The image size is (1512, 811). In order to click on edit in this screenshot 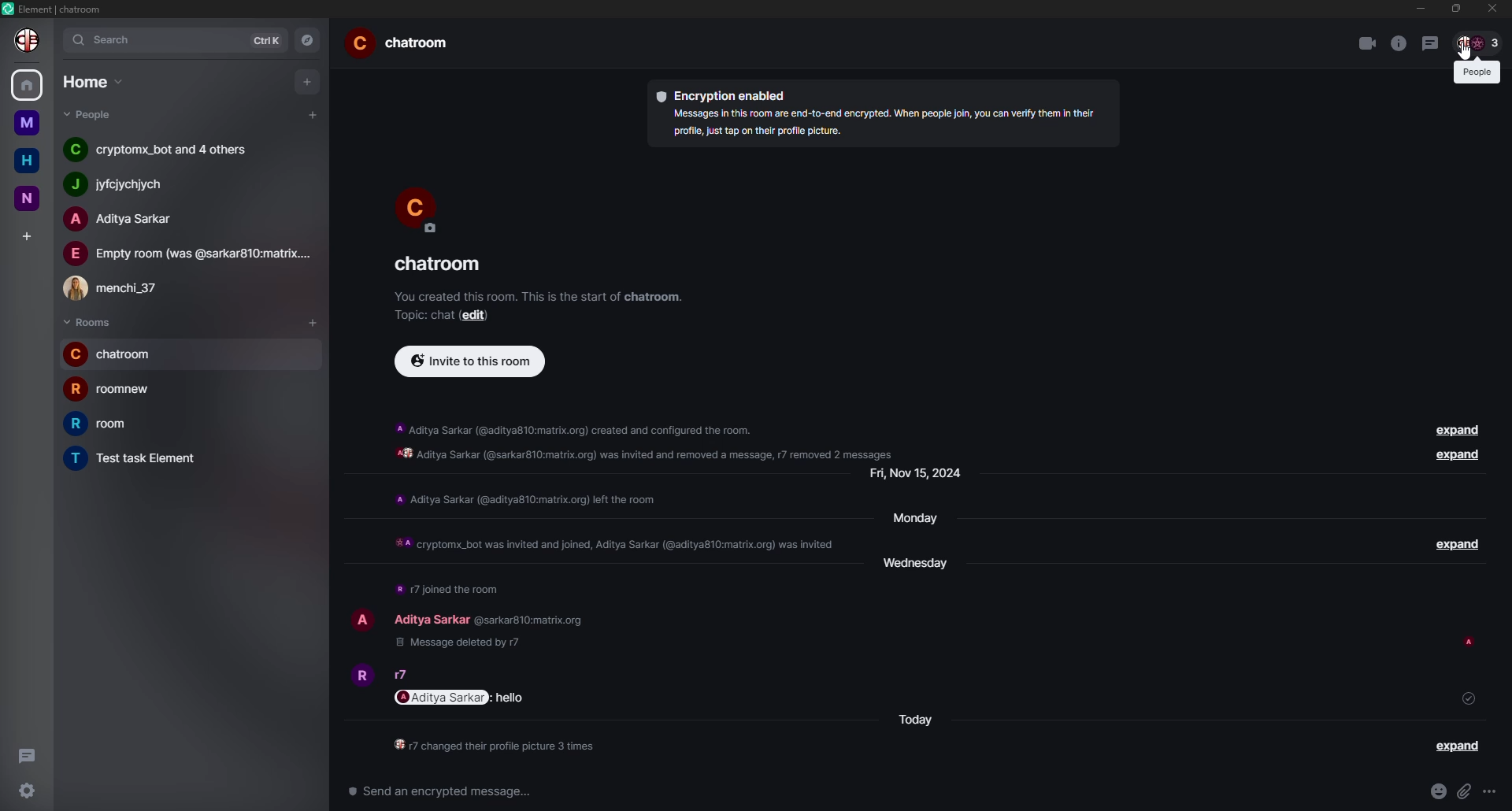, I will do `click(473, 316)`.